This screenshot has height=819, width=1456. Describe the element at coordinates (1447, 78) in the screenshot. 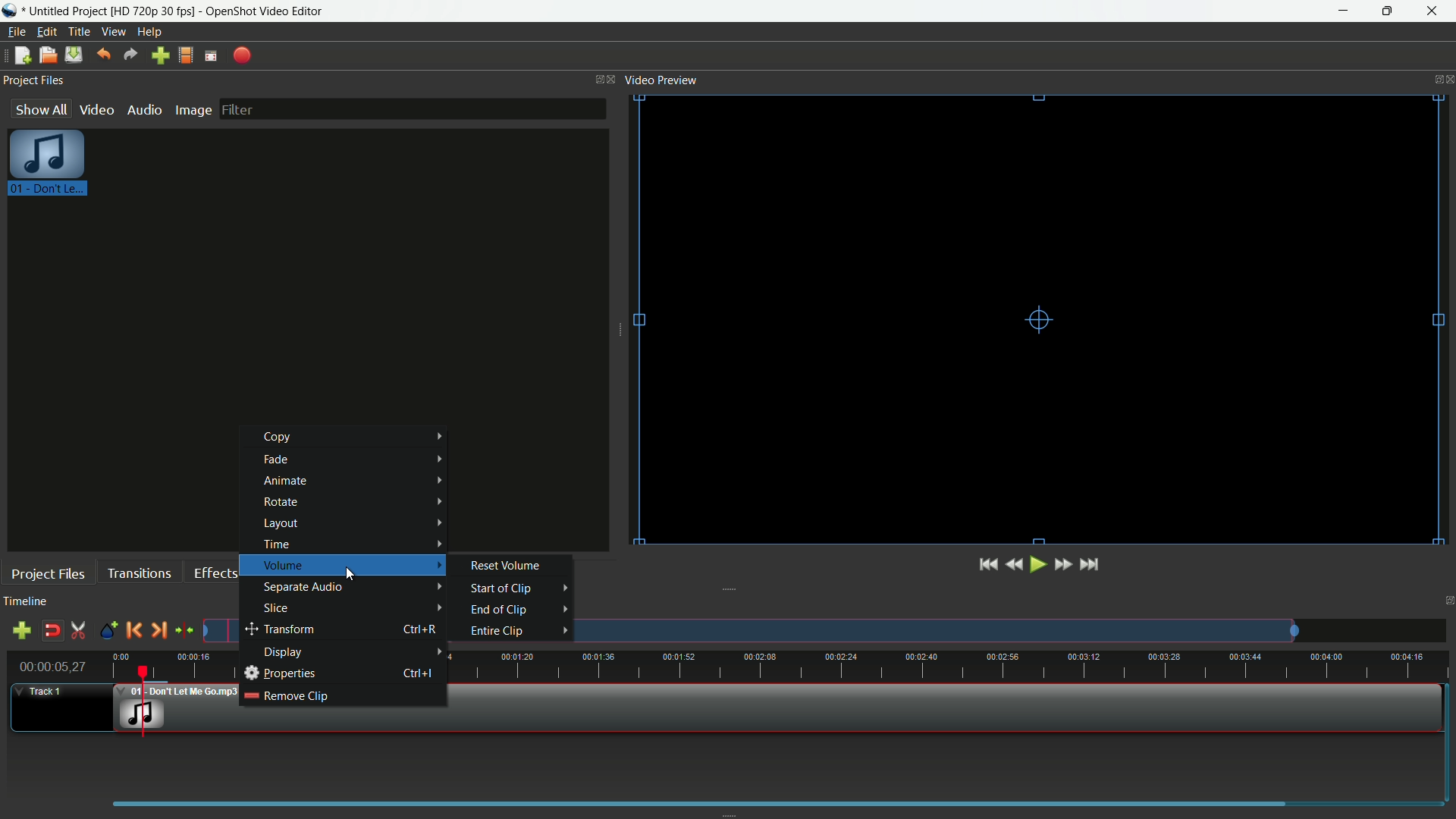

I see `close video preview` at that location.